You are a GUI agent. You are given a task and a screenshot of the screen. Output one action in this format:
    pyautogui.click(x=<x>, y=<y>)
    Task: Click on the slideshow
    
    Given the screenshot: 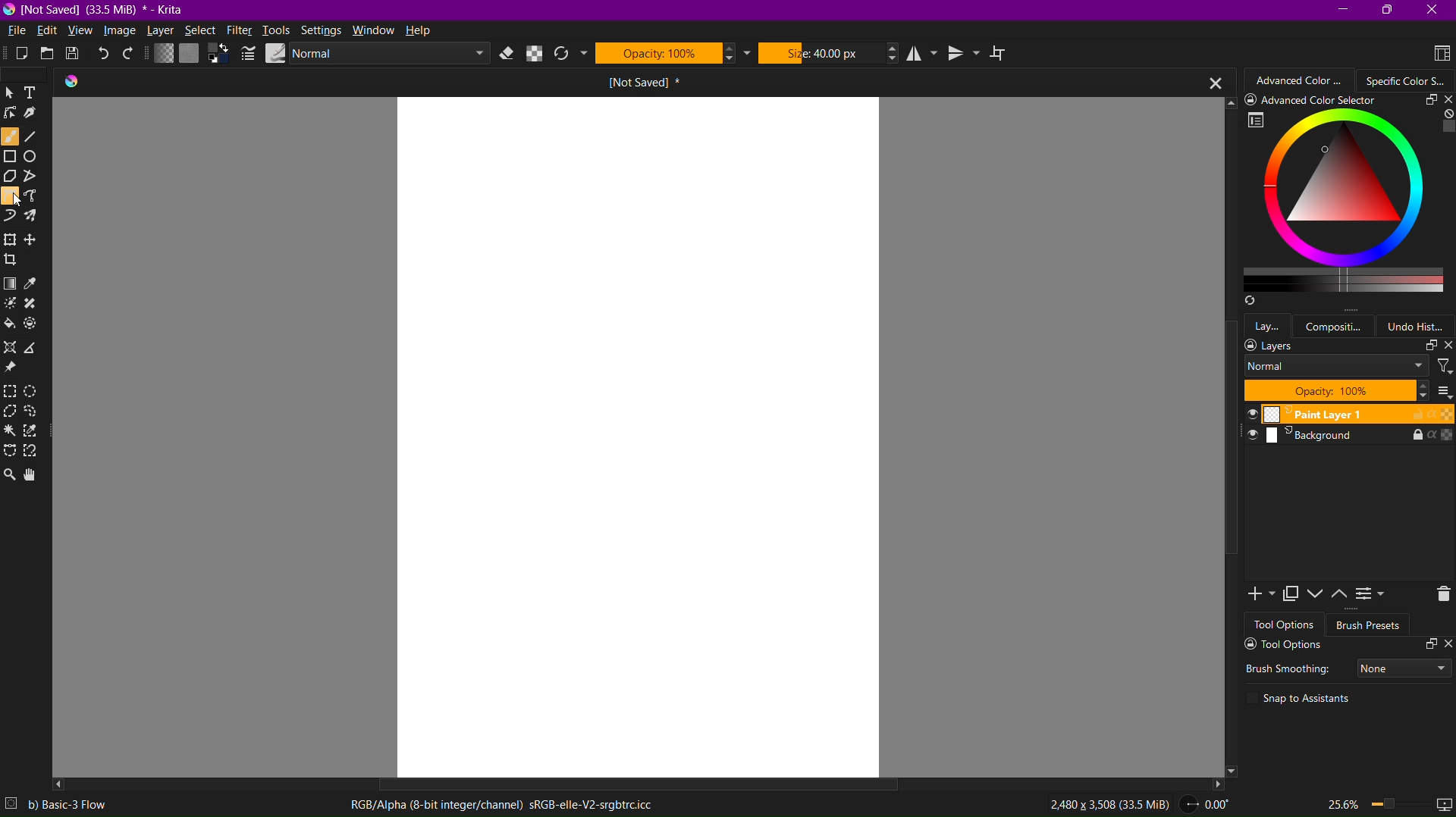 What is the action you would take?
    pyautogui.click(x=1441, y=798)
    